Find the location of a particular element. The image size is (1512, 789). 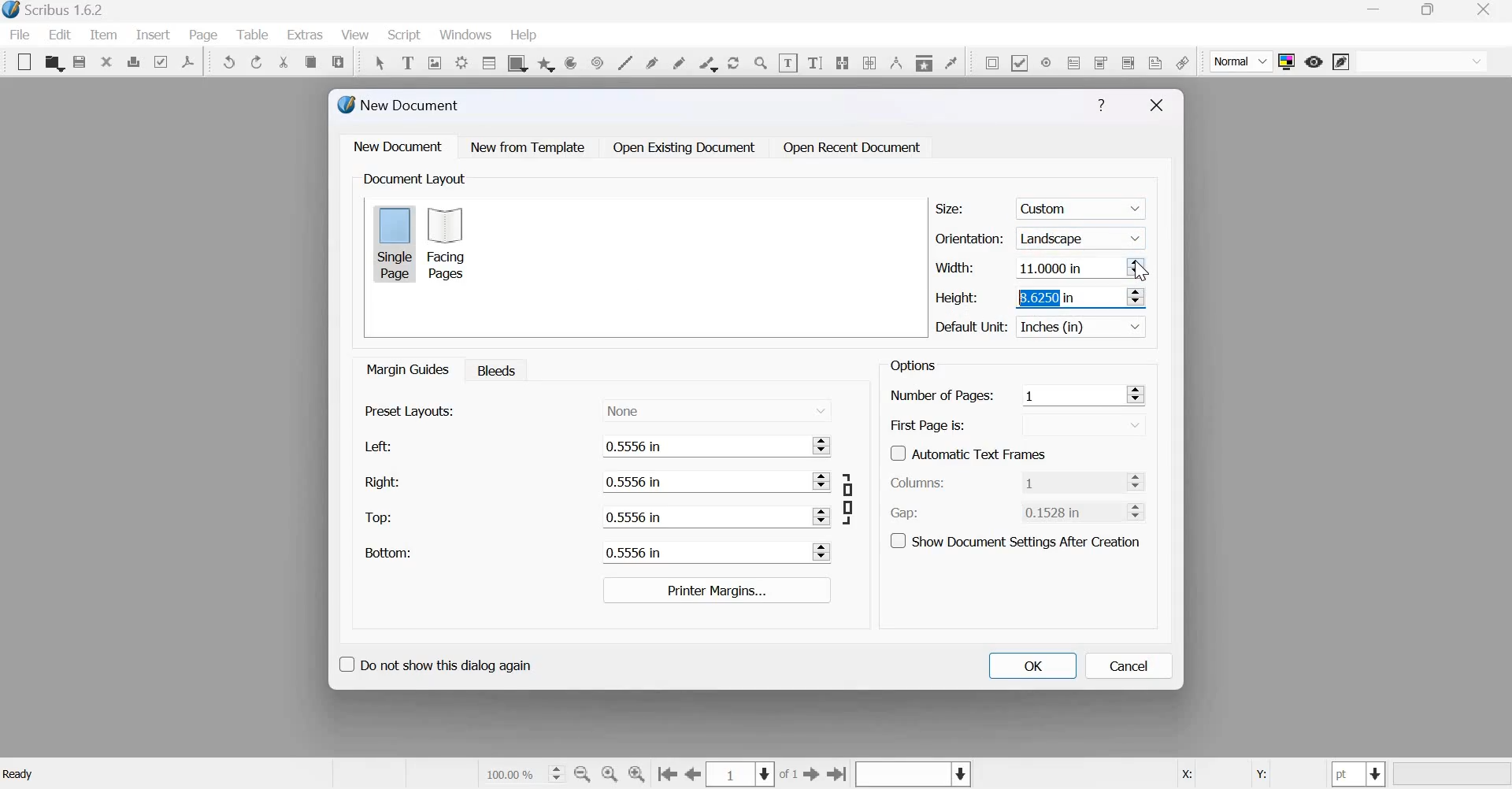

Landscape is located at coordinates (1083, 237).